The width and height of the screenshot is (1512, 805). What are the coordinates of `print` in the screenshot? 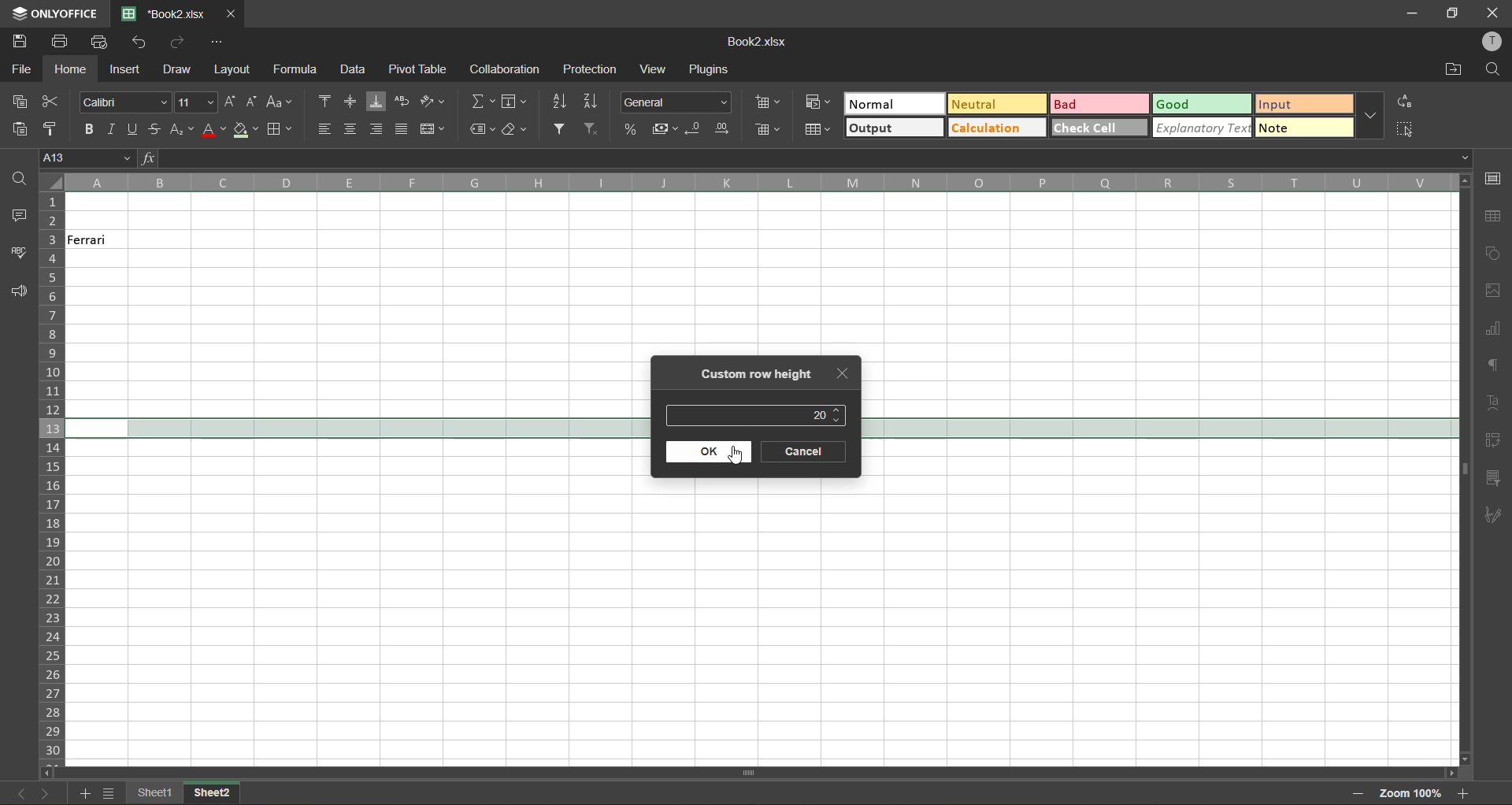 It's located at (61, 41).